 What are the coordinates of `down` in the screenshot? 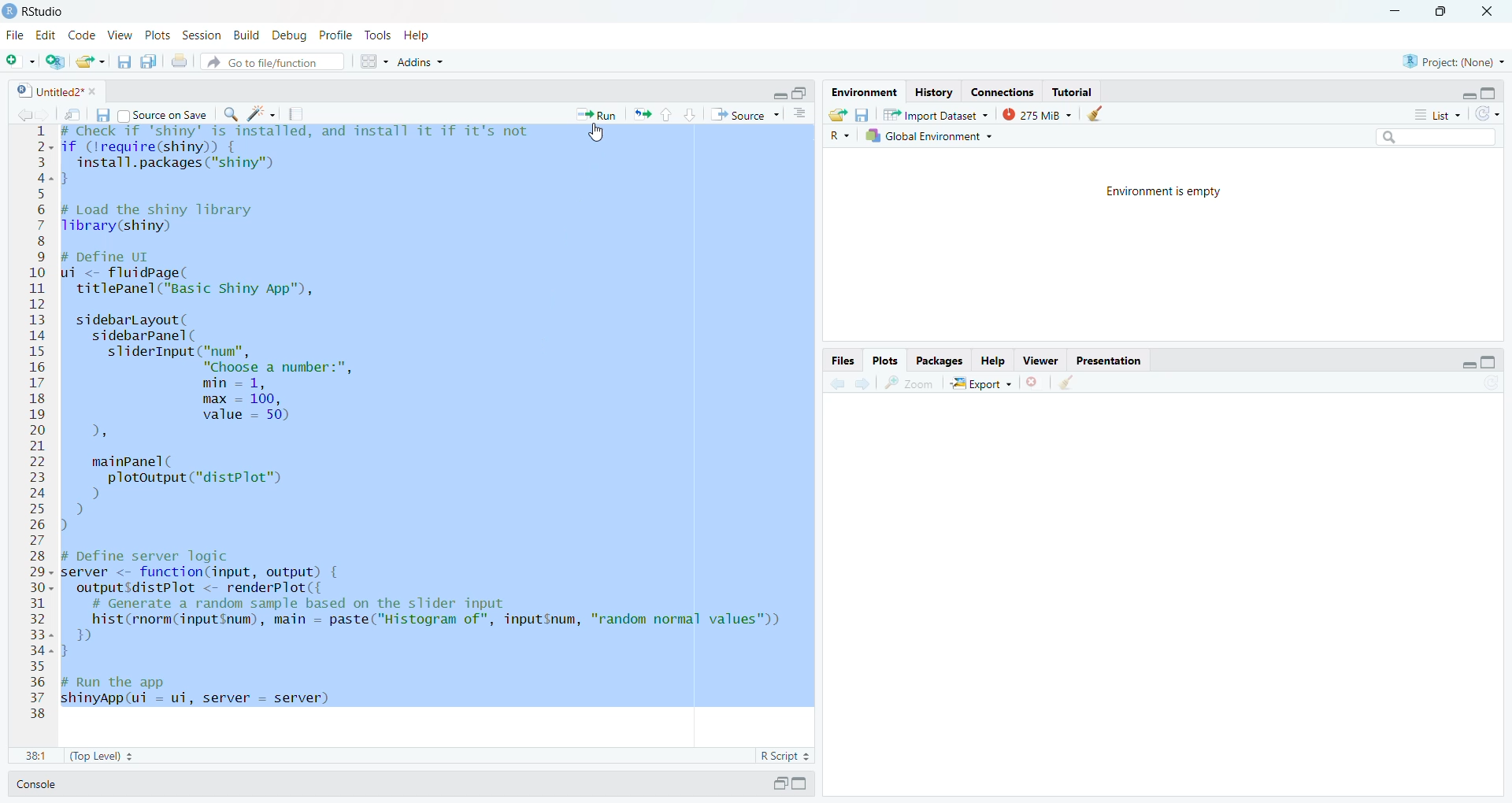 It's located at (691, 115).